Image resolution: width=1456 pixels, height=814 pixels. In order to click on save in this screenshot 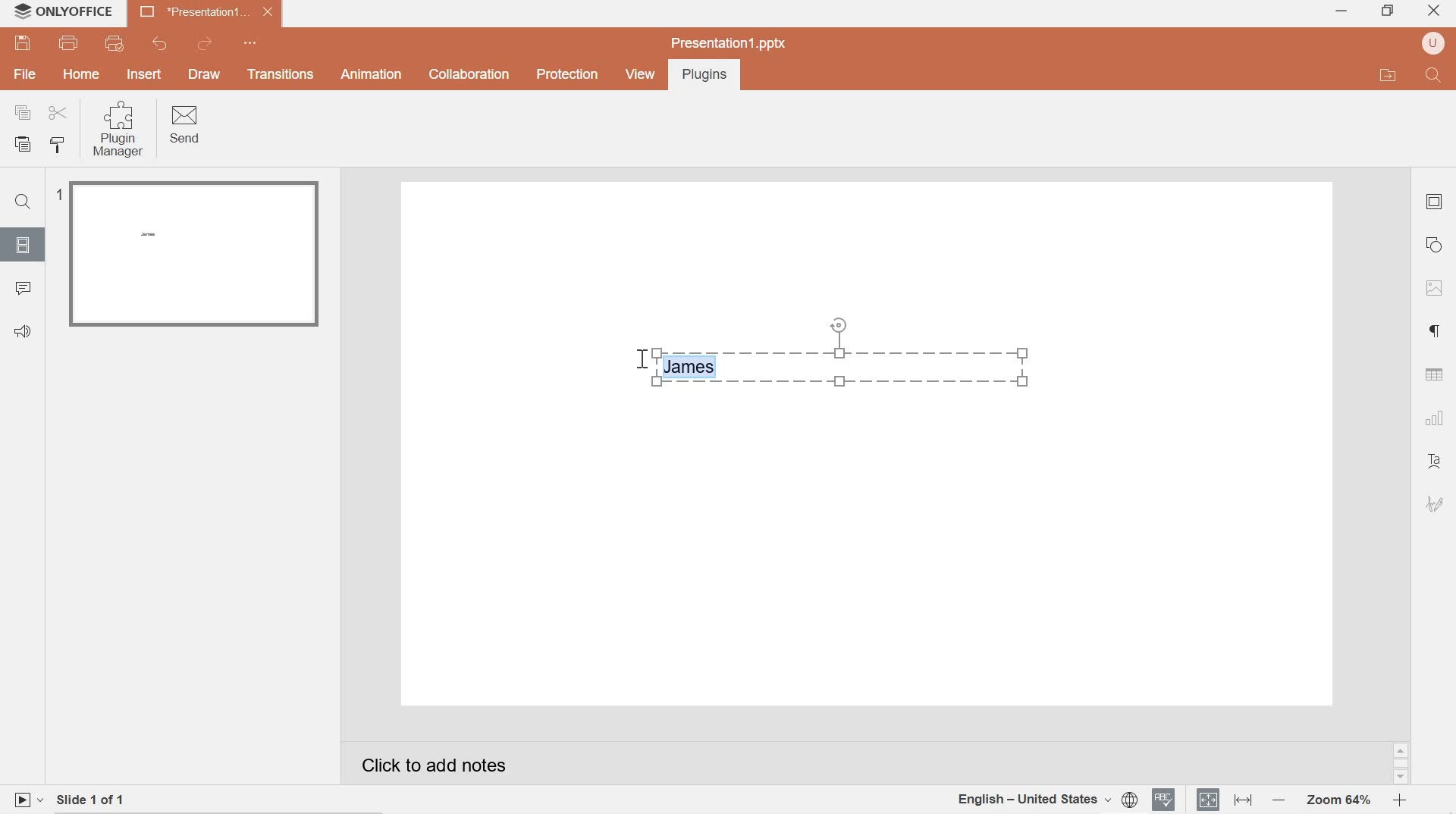, I will do `click(24, 43)`.